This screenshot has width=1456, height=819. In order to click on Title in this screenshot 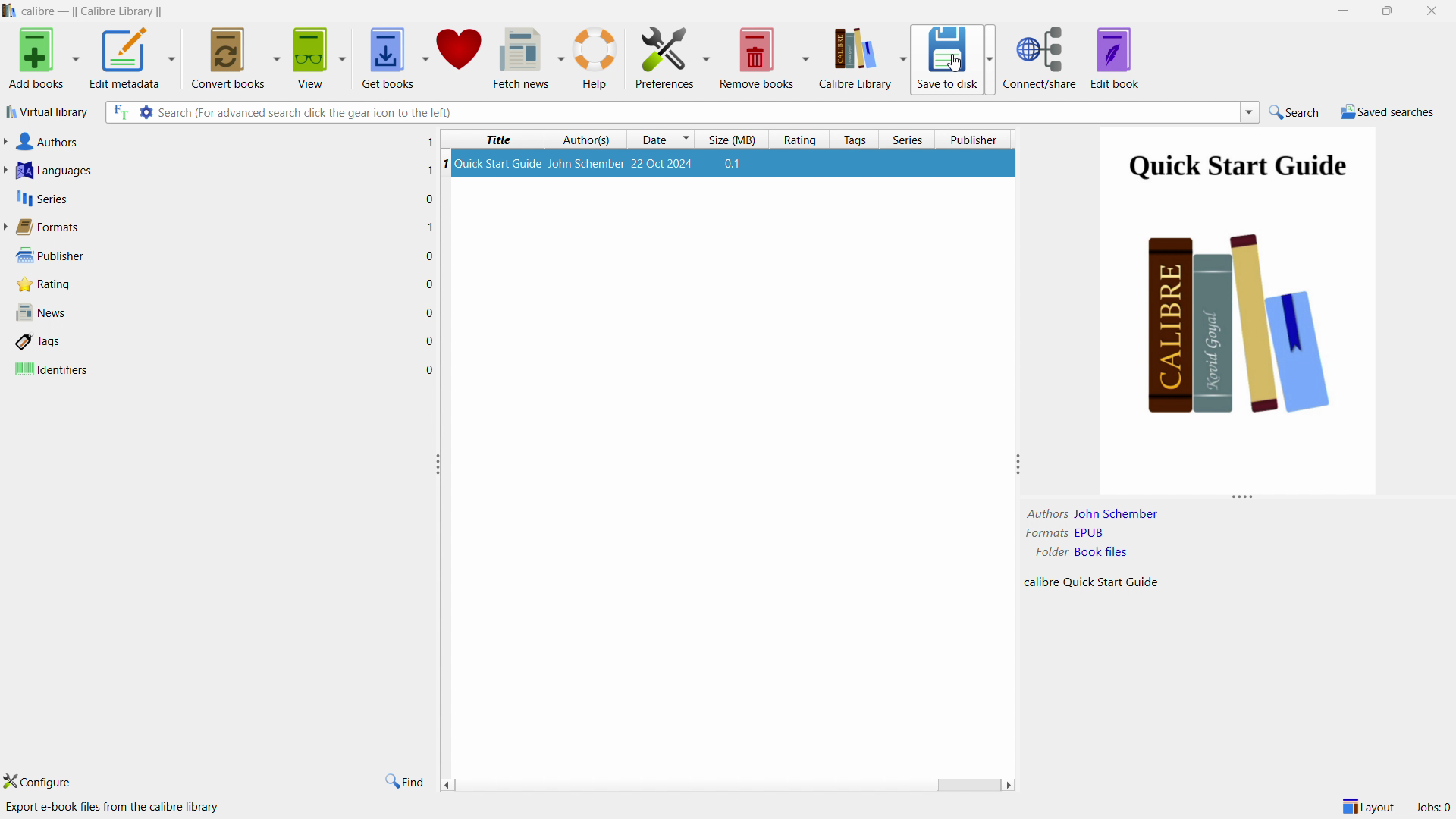, I will do `click(503, 139)`.